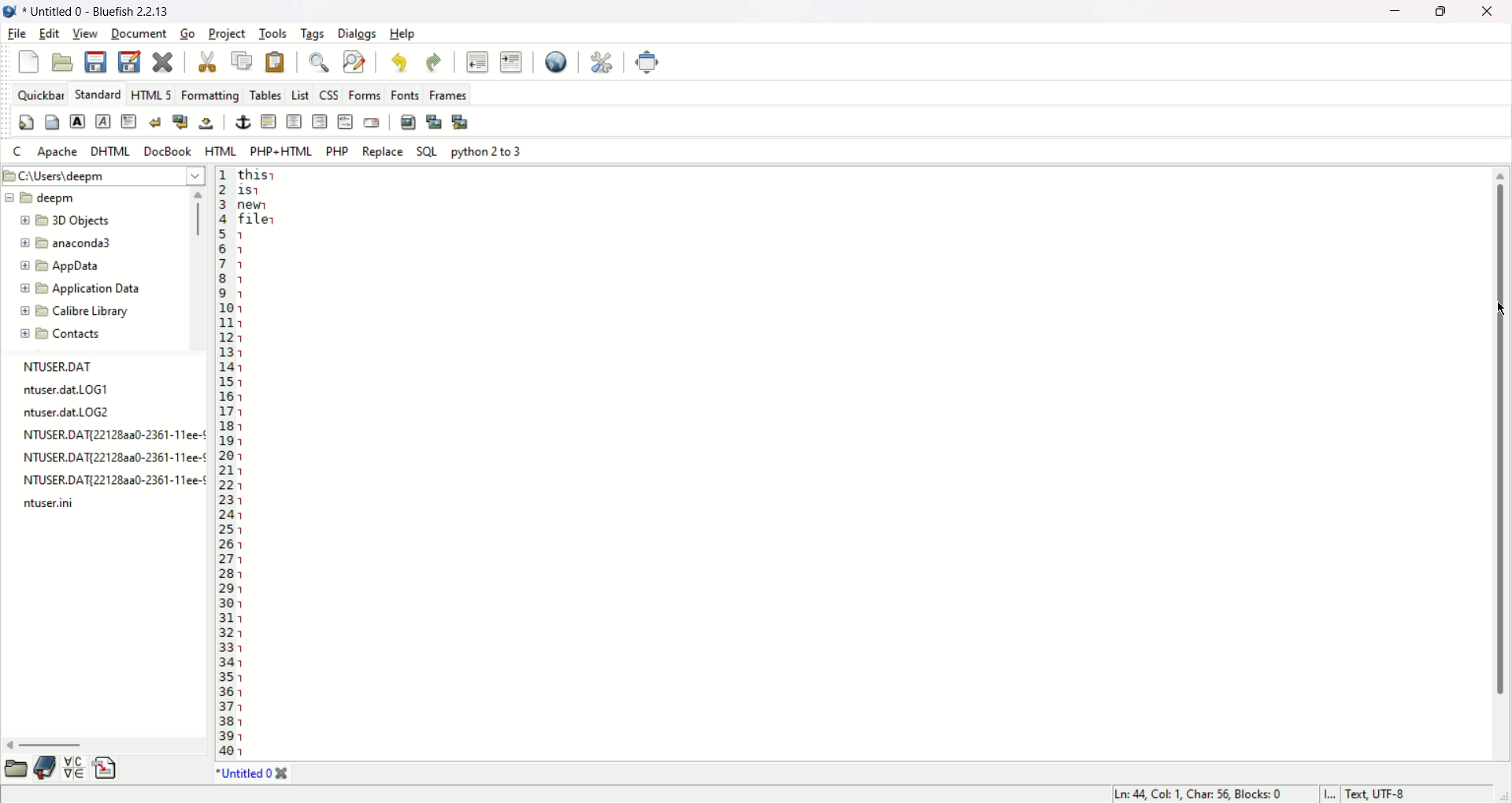 The image size is (1512, 803). What do you see at coordinates (435, 65) in the screenshot?
I see `redo` at bounding box center [435, 65].